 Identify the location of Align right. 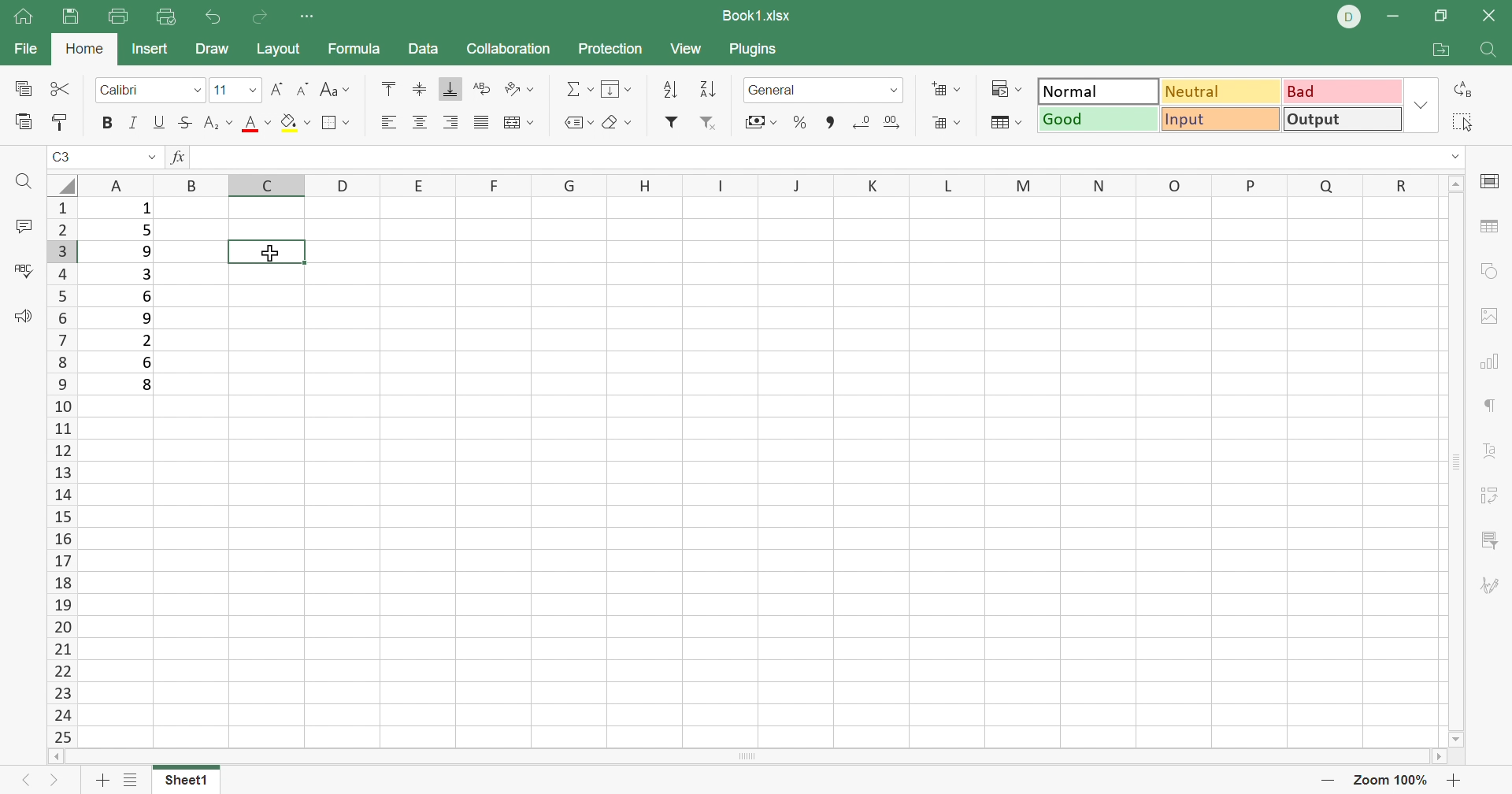
(451, 121).